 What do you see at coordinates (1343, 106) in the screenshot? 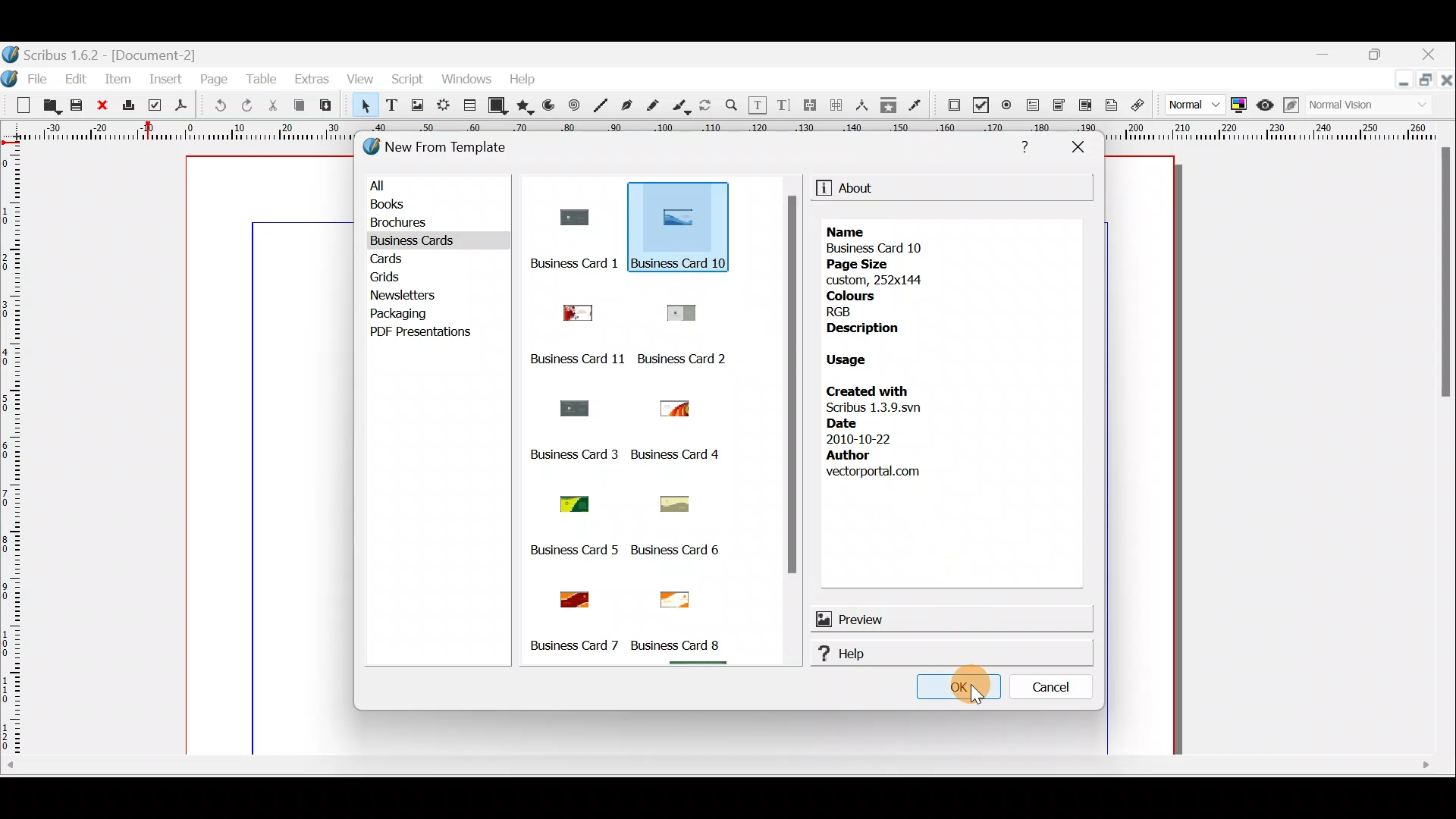
I see `Visual appearance` at bounding box center [1343, 106].